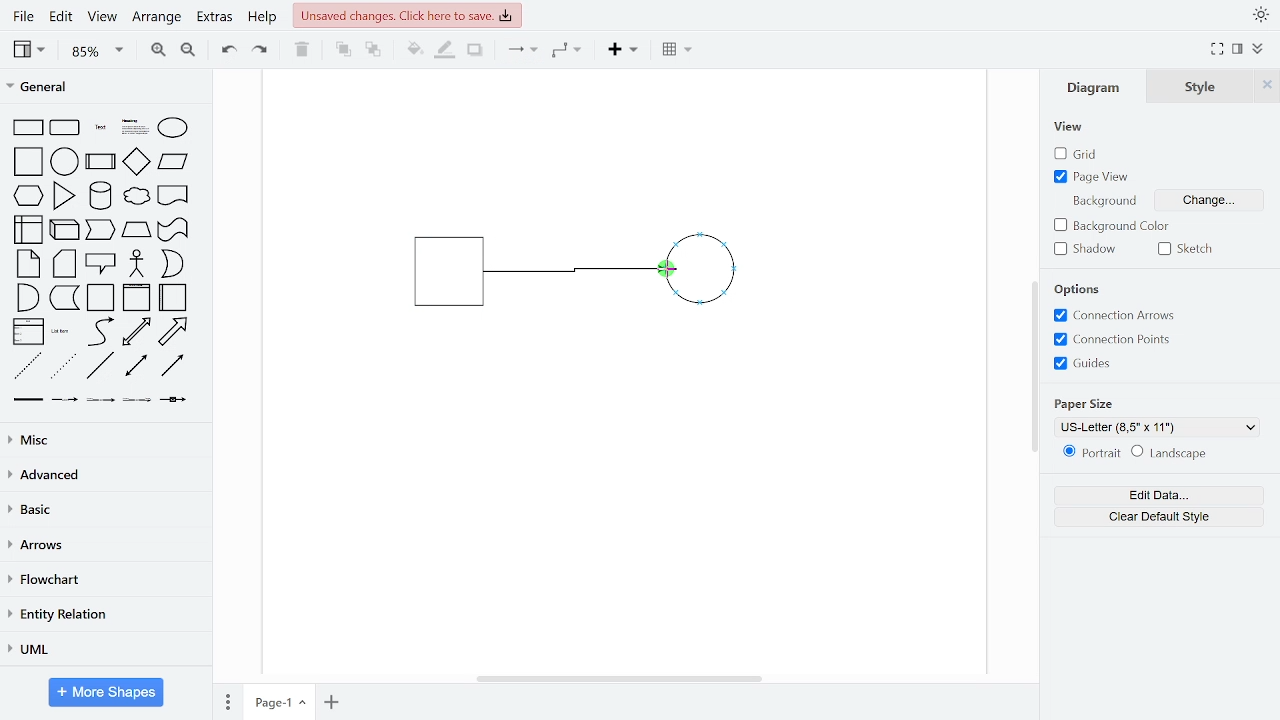 This screenshot has width=1280, height=720. I want to click on zoom out, so click(187, 49).